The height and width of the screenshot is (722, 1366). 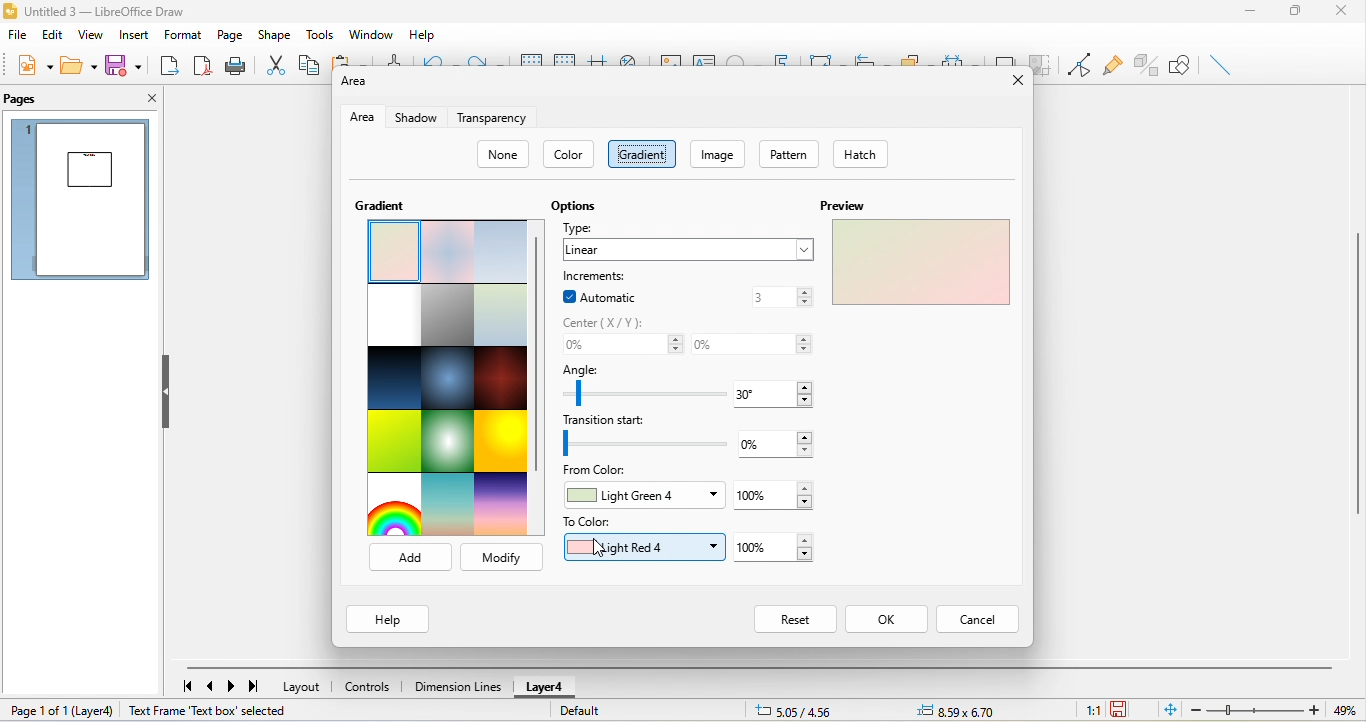 I want to click on zoom, so click(x=1277, y=709).